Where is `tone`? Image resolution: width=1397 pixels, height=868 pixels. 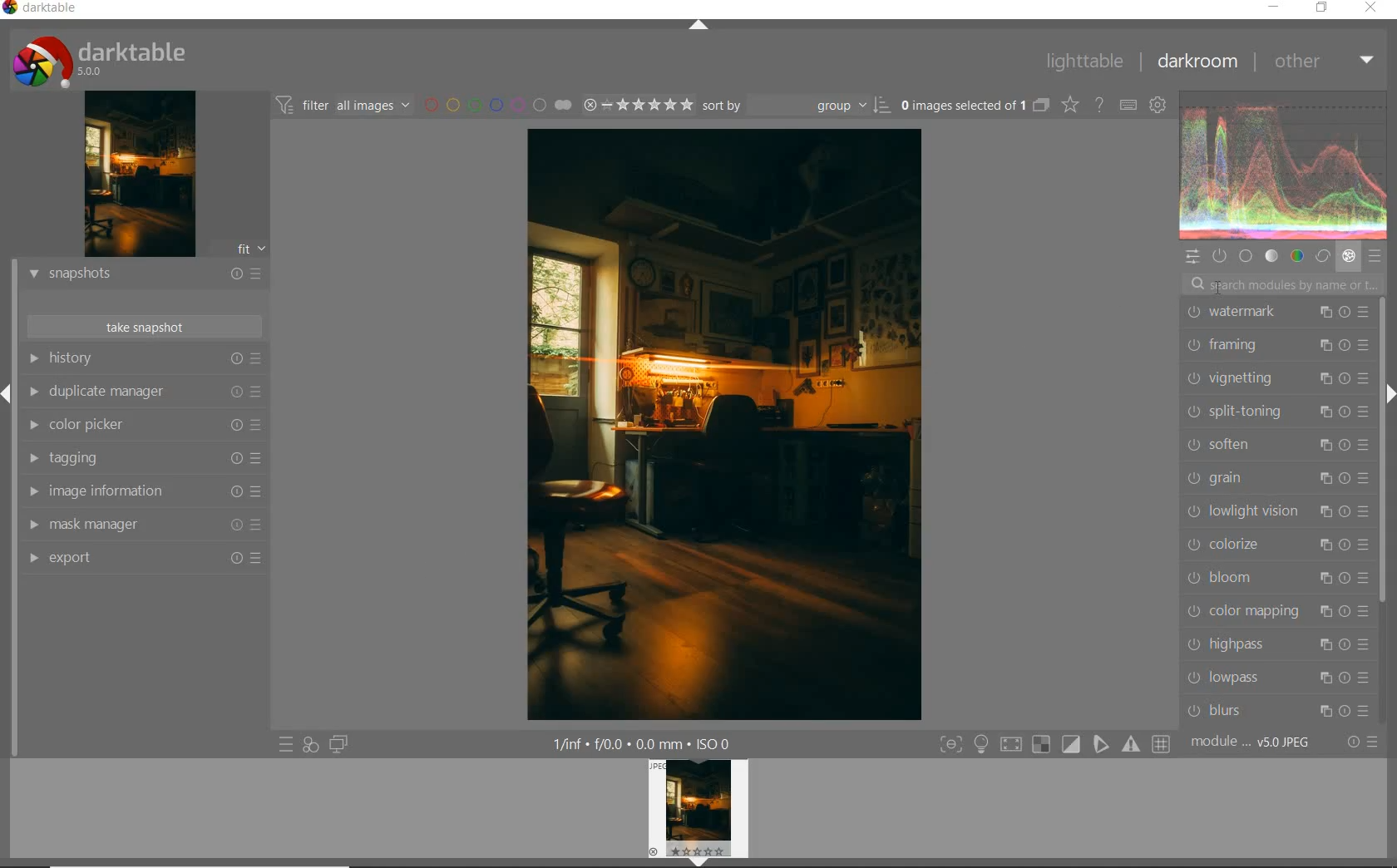
tone is located at coordinates (1272, 255).